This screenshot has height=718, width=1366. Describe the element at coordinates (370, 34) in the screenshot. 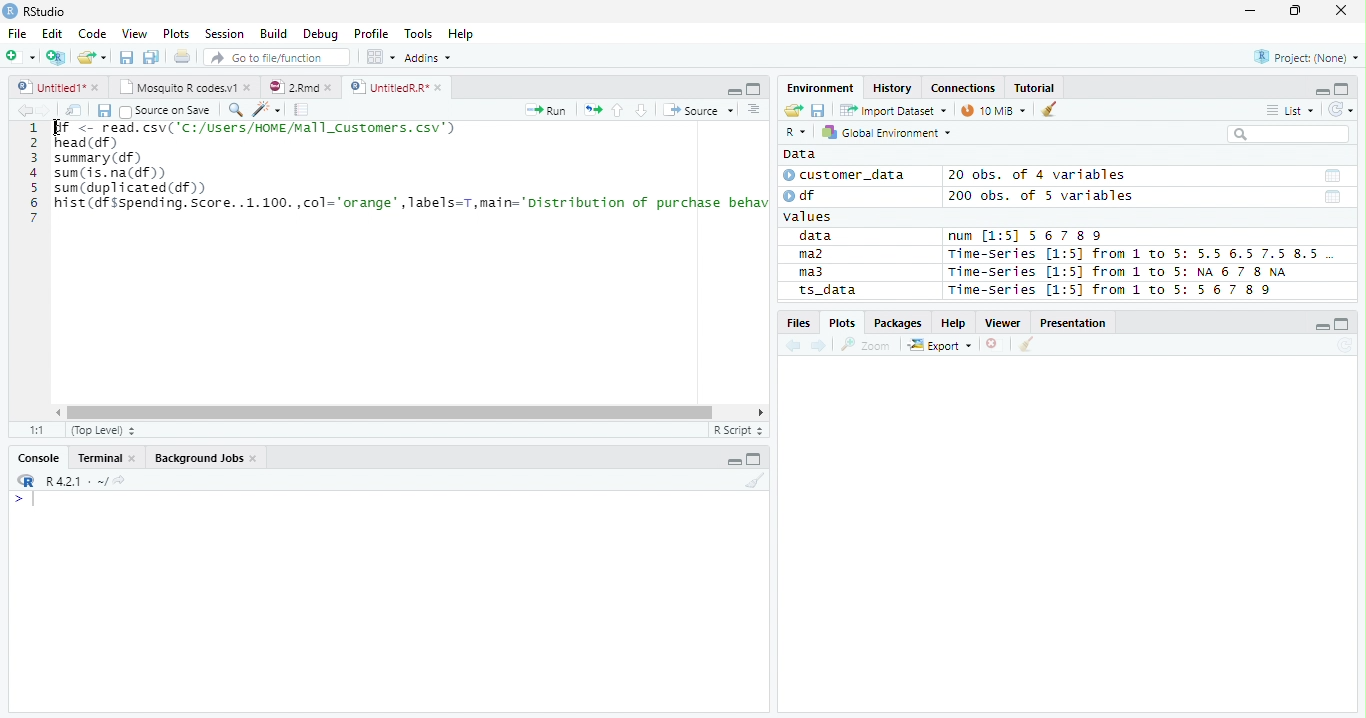

I see `Profile` at that location.